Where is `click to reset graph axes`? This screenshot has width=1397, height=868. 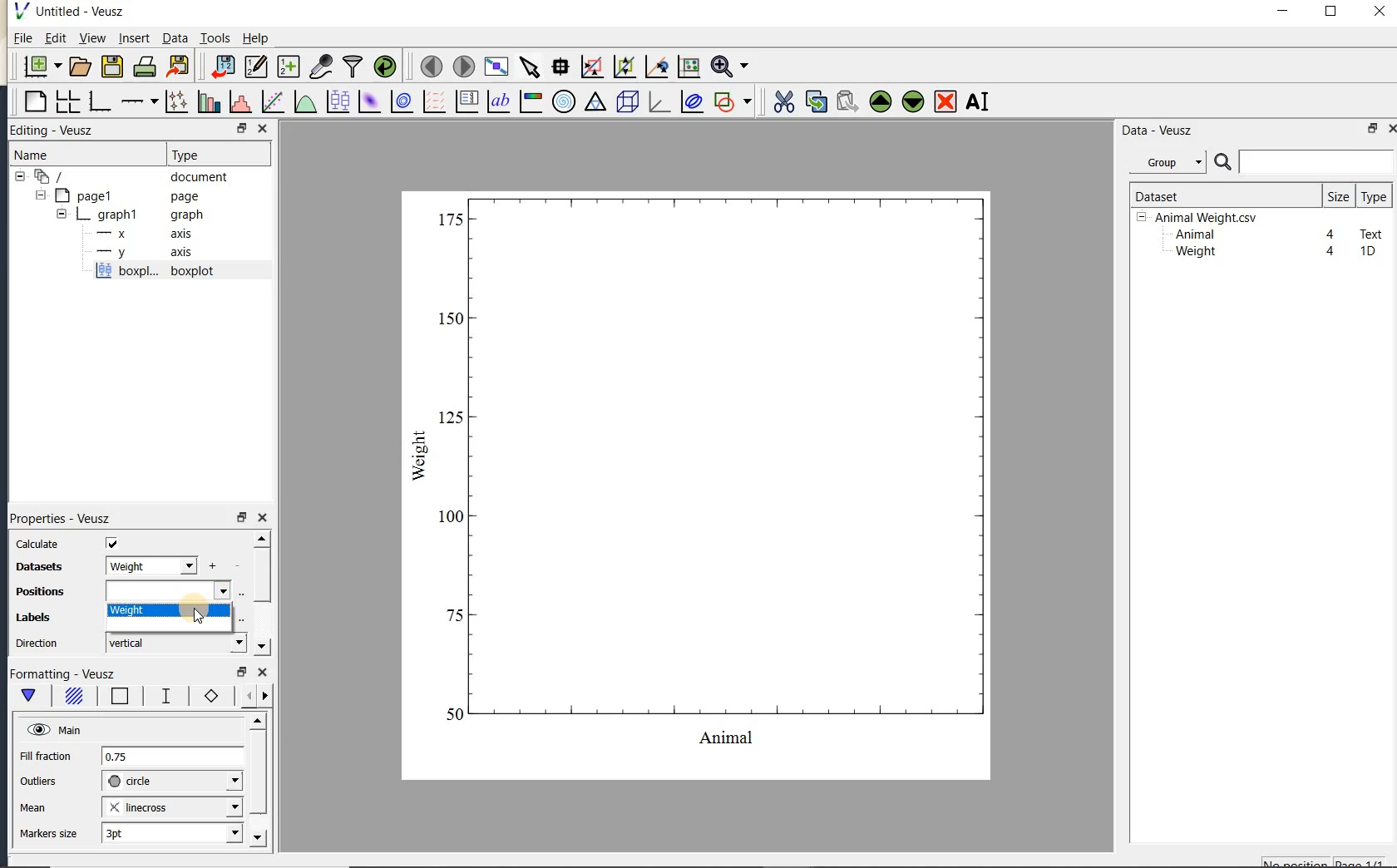
click to reset graph axes is located at coordinates (689, 67).